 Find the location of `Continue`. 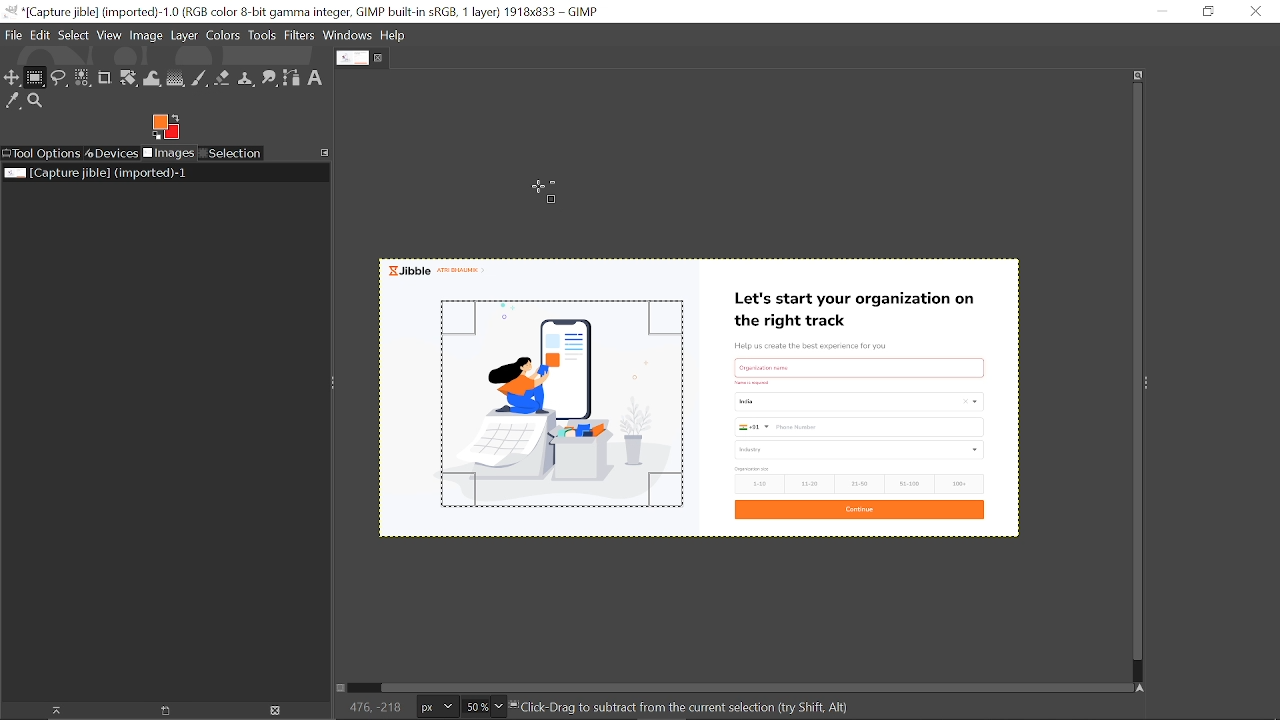

Continue is located at coordinates (860, 510).